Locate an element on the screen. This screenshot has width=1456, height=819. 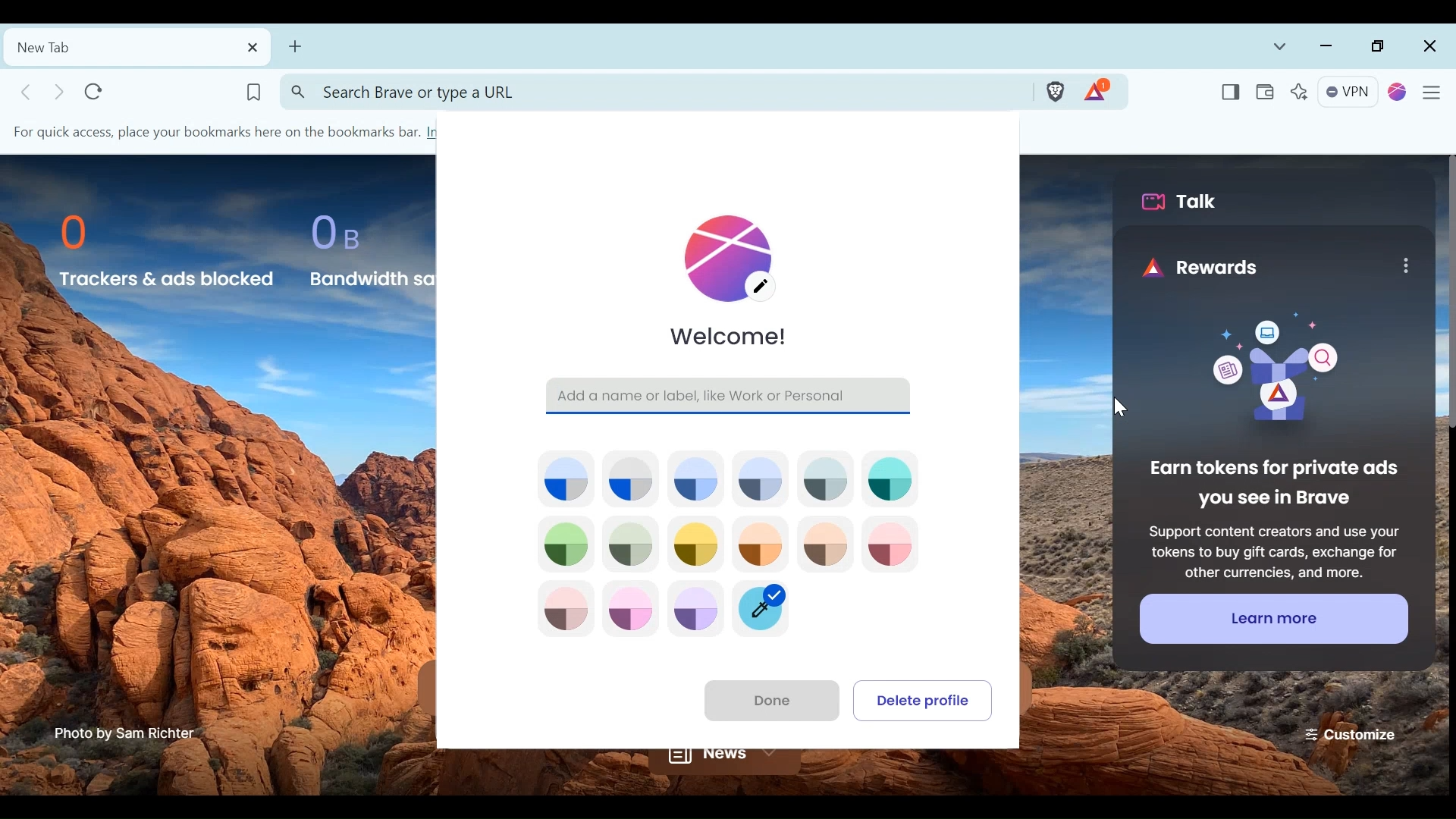
Restore is located at coordinates (1379, 47).